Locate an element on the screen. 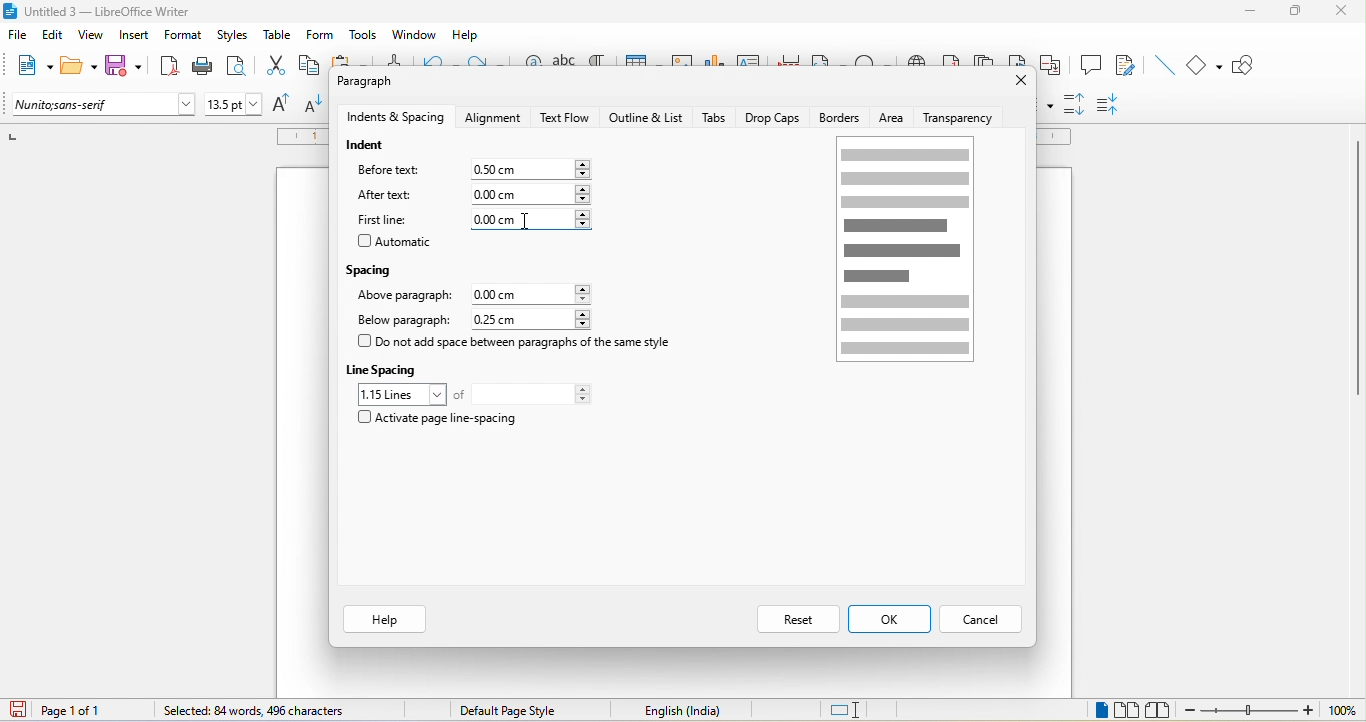 This screenshot has height=722, width=1366. line spacing is located at coordinates (381, 370).